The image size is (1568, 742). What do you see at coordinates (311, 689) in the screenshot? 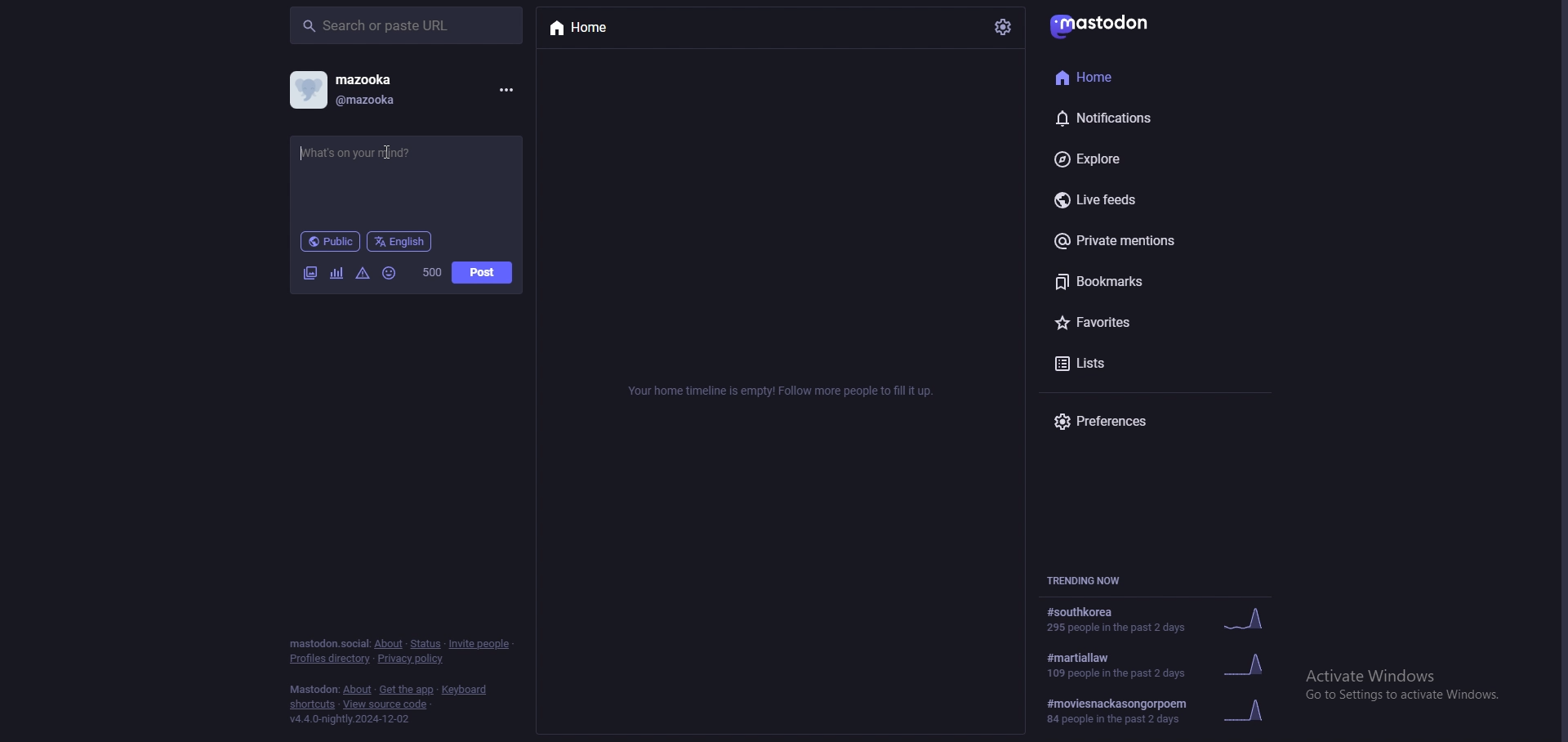
I see `mastodon` at bounding box center [311, 689].